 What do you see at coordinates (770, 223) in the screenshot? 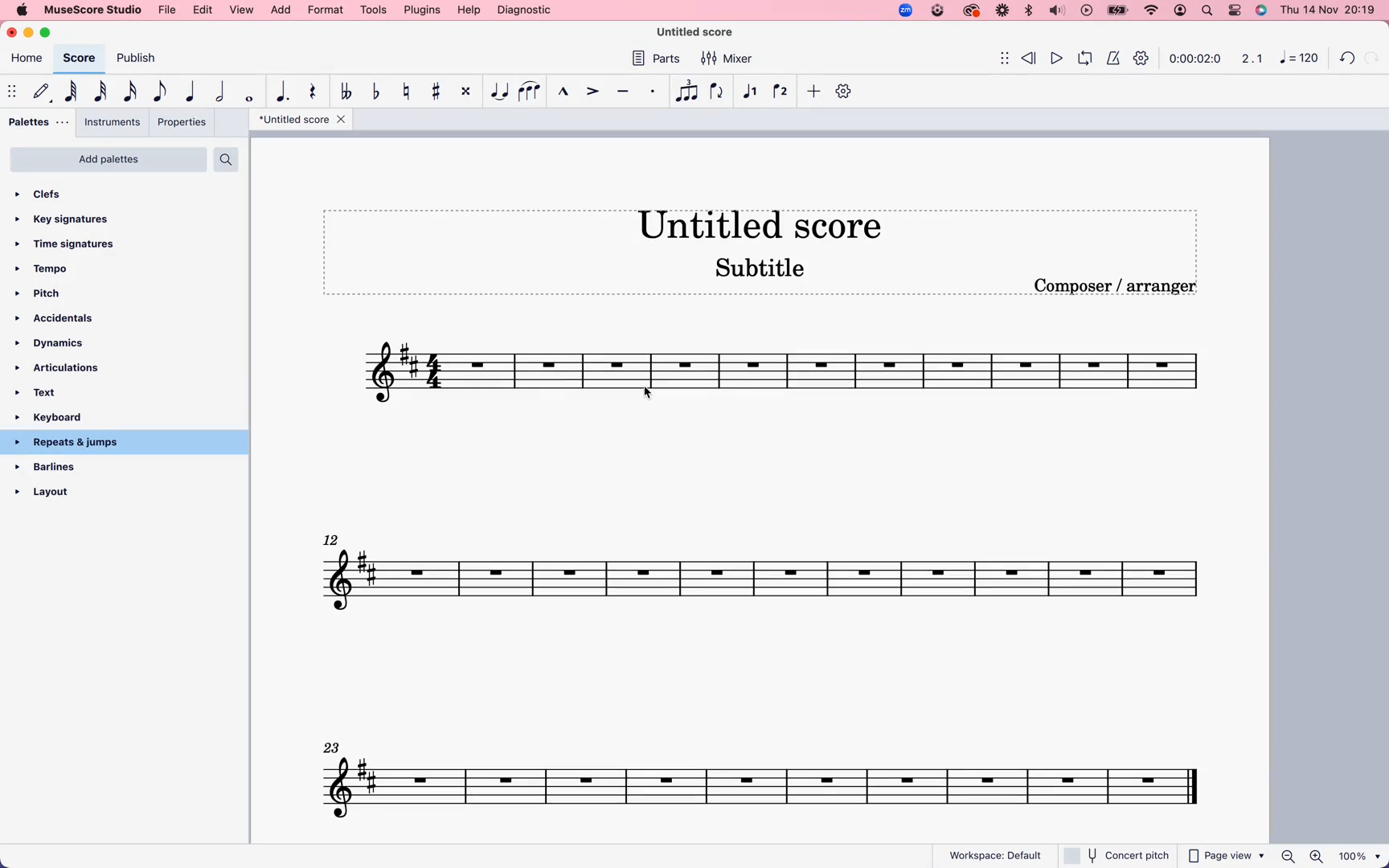
I see `score name` at bounding box center [770, 223].